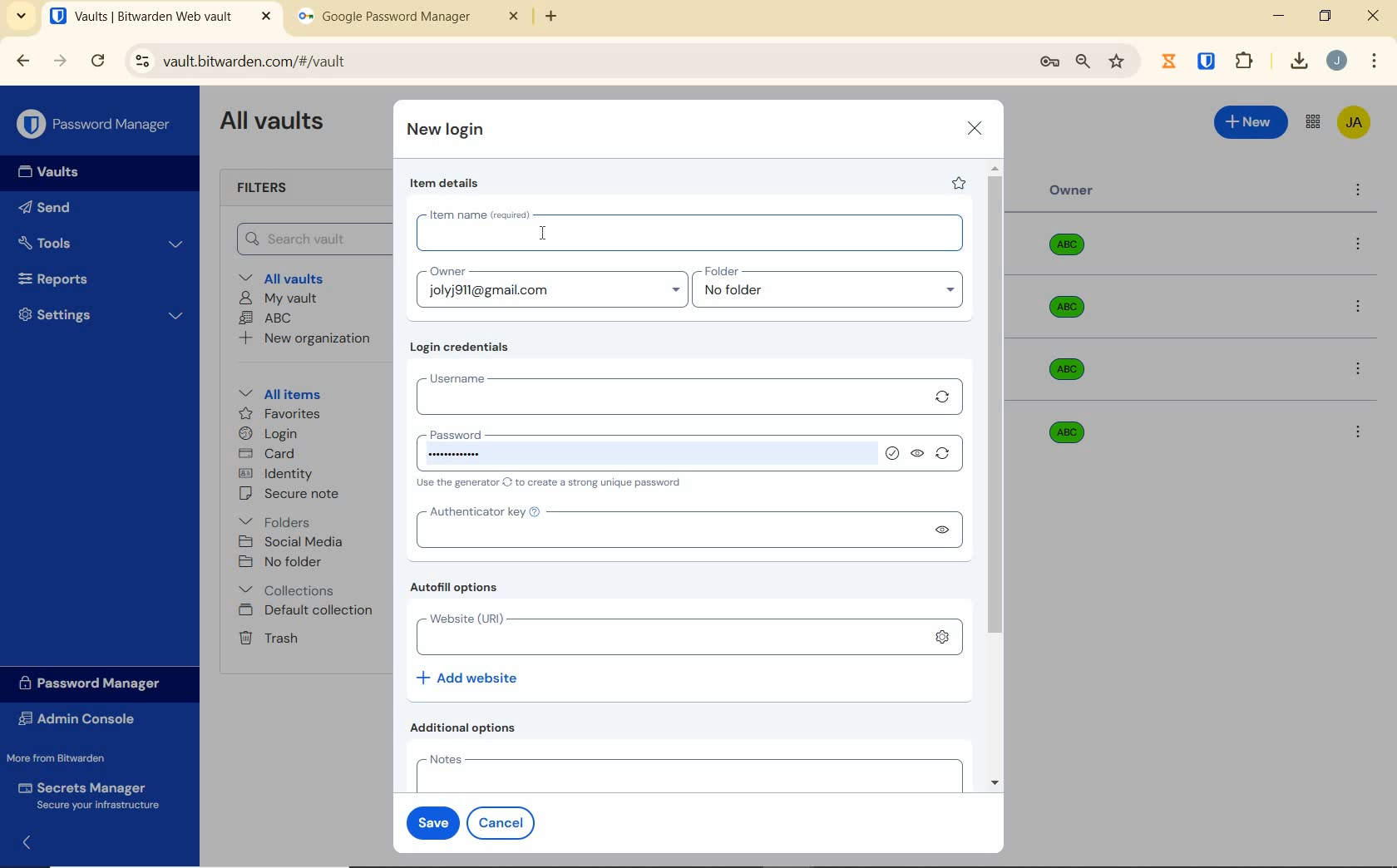 The image size is (1397, 868). What do you see at coordinates (97, 62) in the screenshot?
I see `reload` at bounding box center [97, 62].